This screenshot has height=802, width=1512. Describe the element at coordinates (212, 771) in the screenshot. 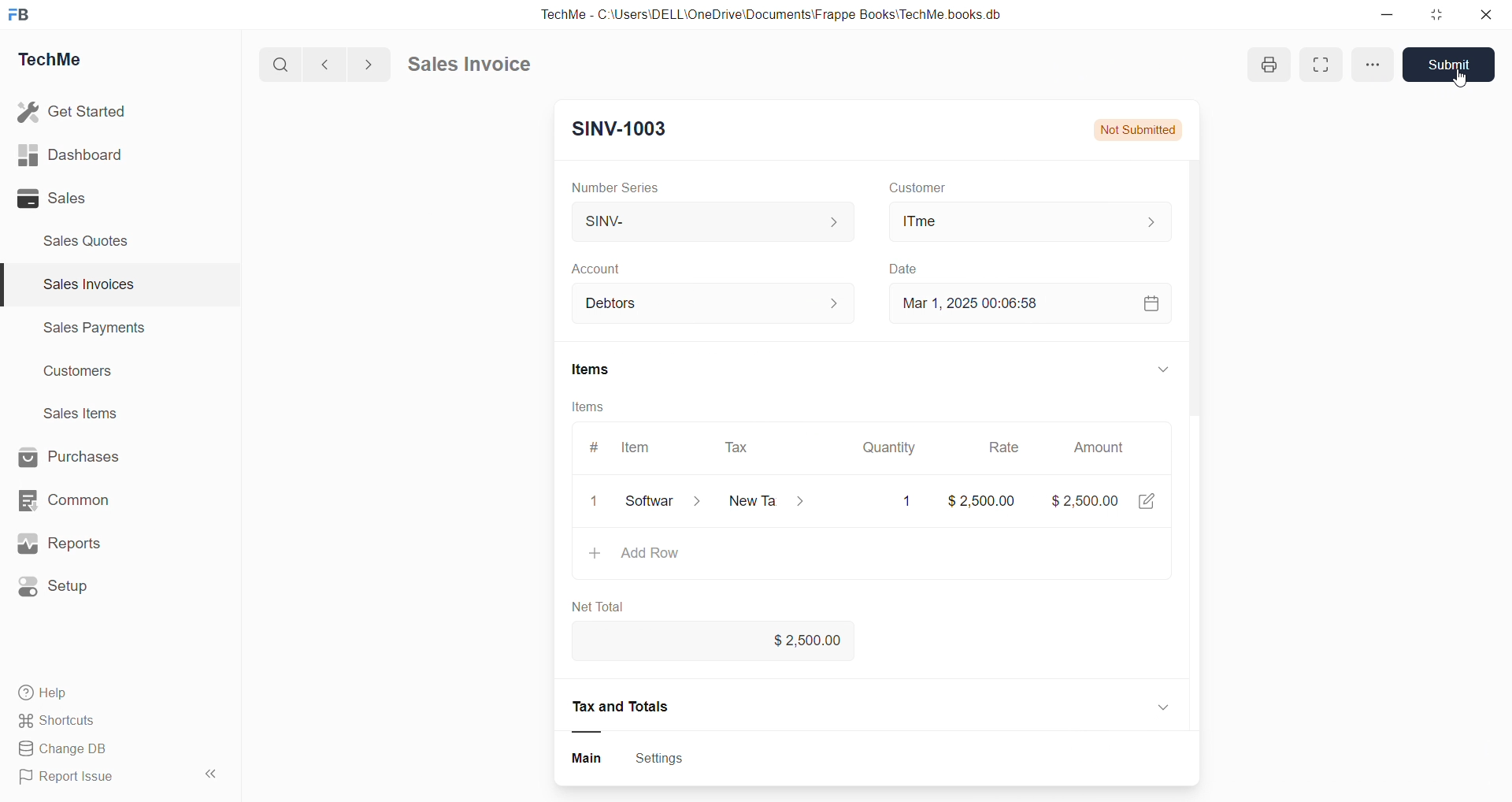

I see `«` at that location.